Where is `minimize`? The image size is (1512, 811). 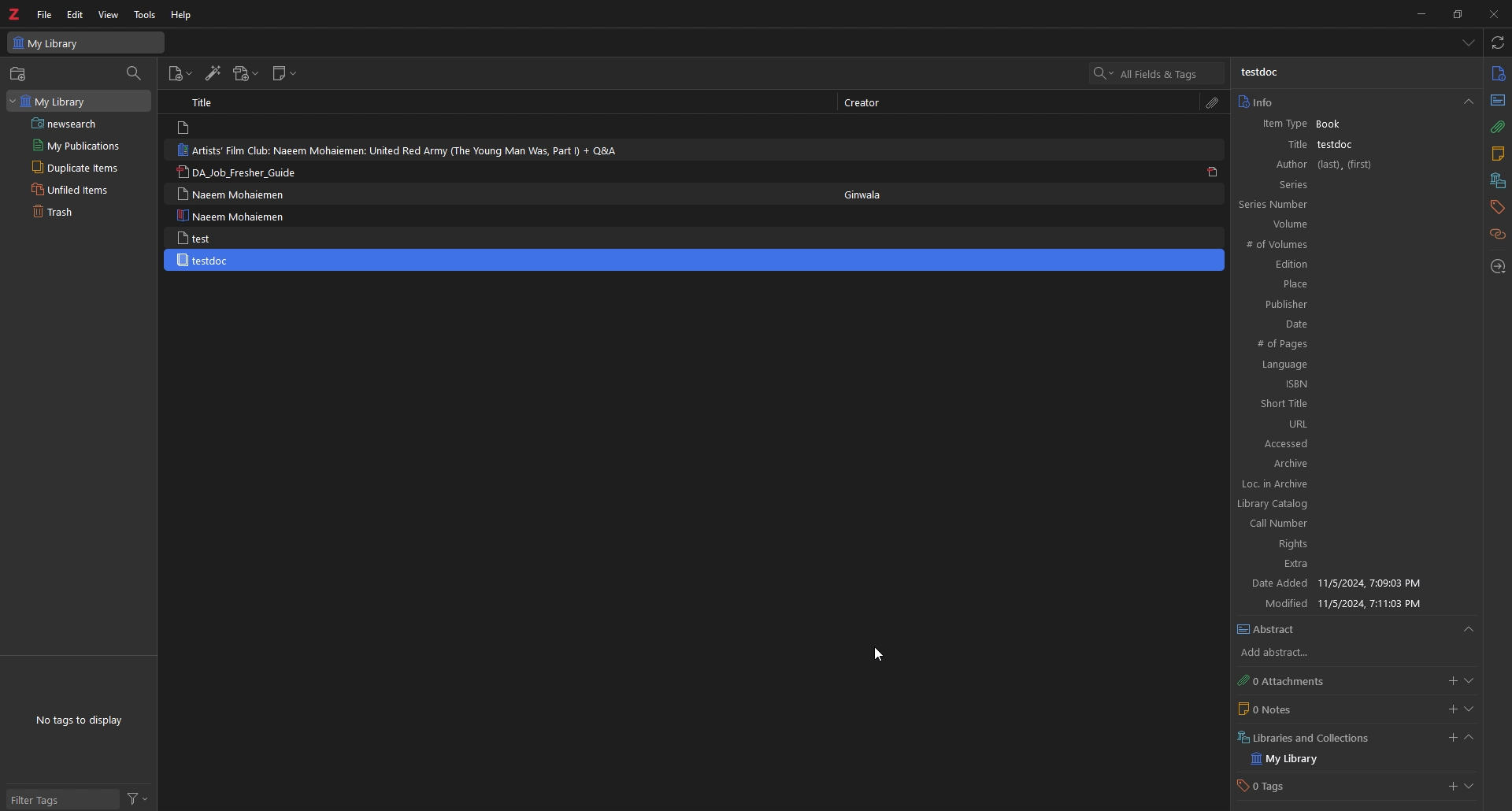 minimize is located at coordinates (1417, 13).